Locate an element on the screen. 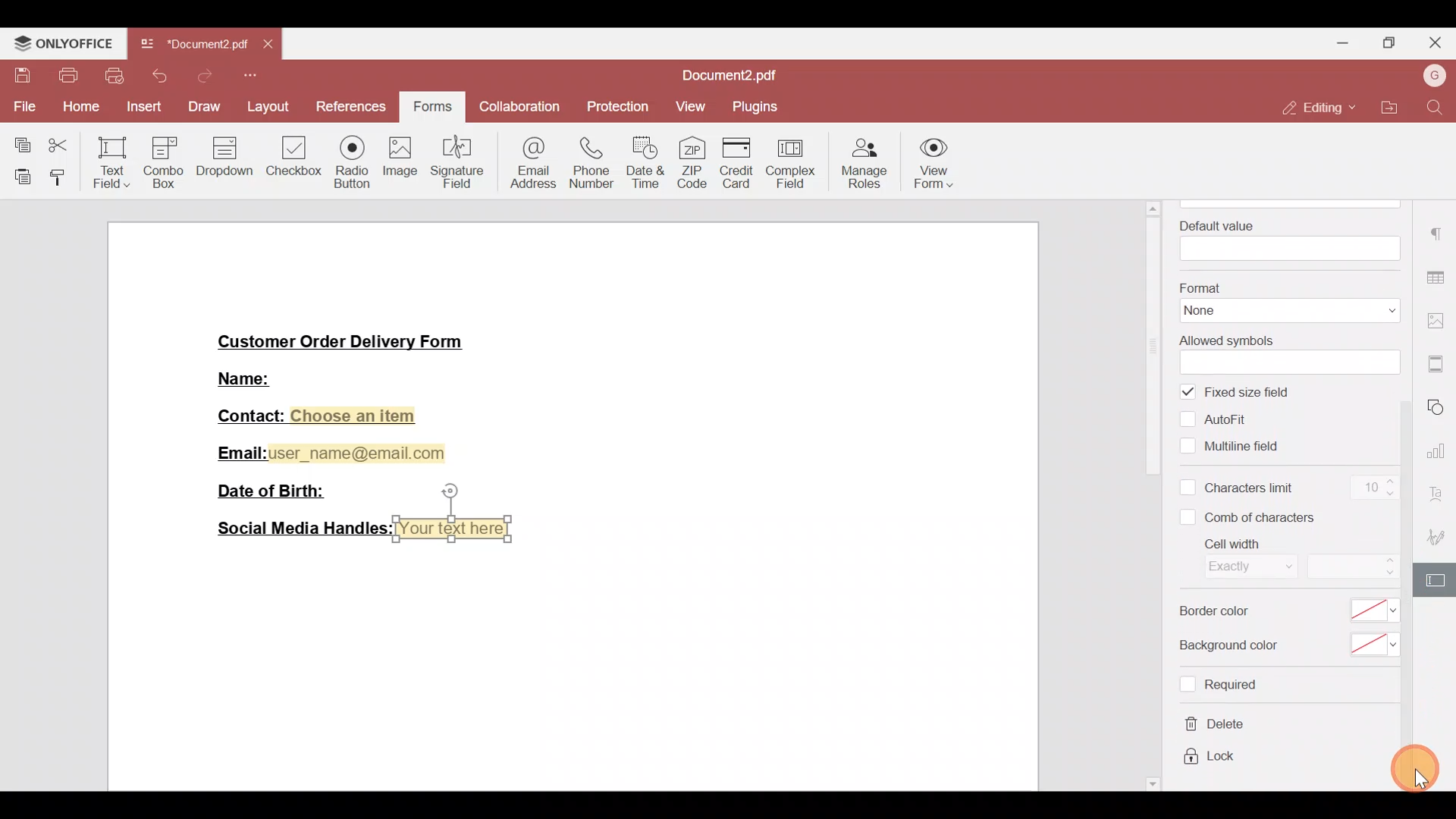 This screenshot has width=1456, height=819. Copy style is located at coordinates (58, 178).